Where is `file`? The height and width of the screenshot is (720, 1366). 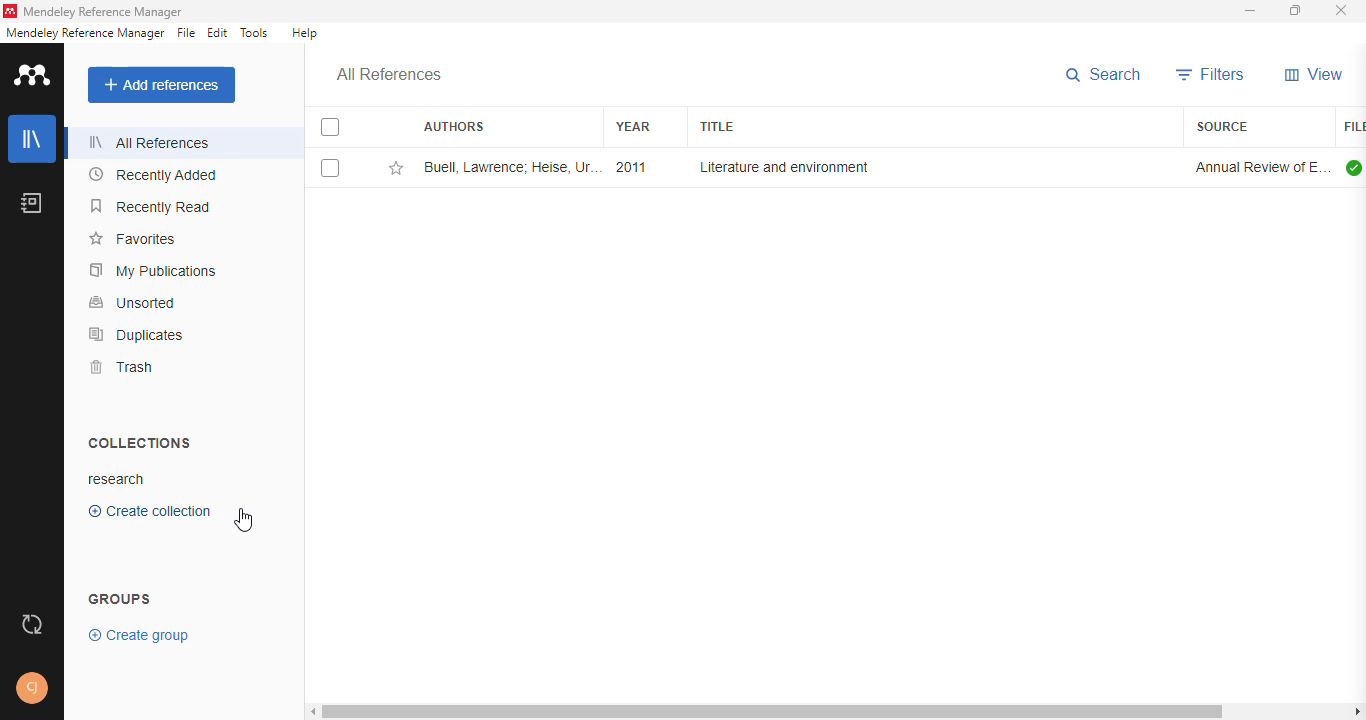
file is located at coordinates (185, 33).